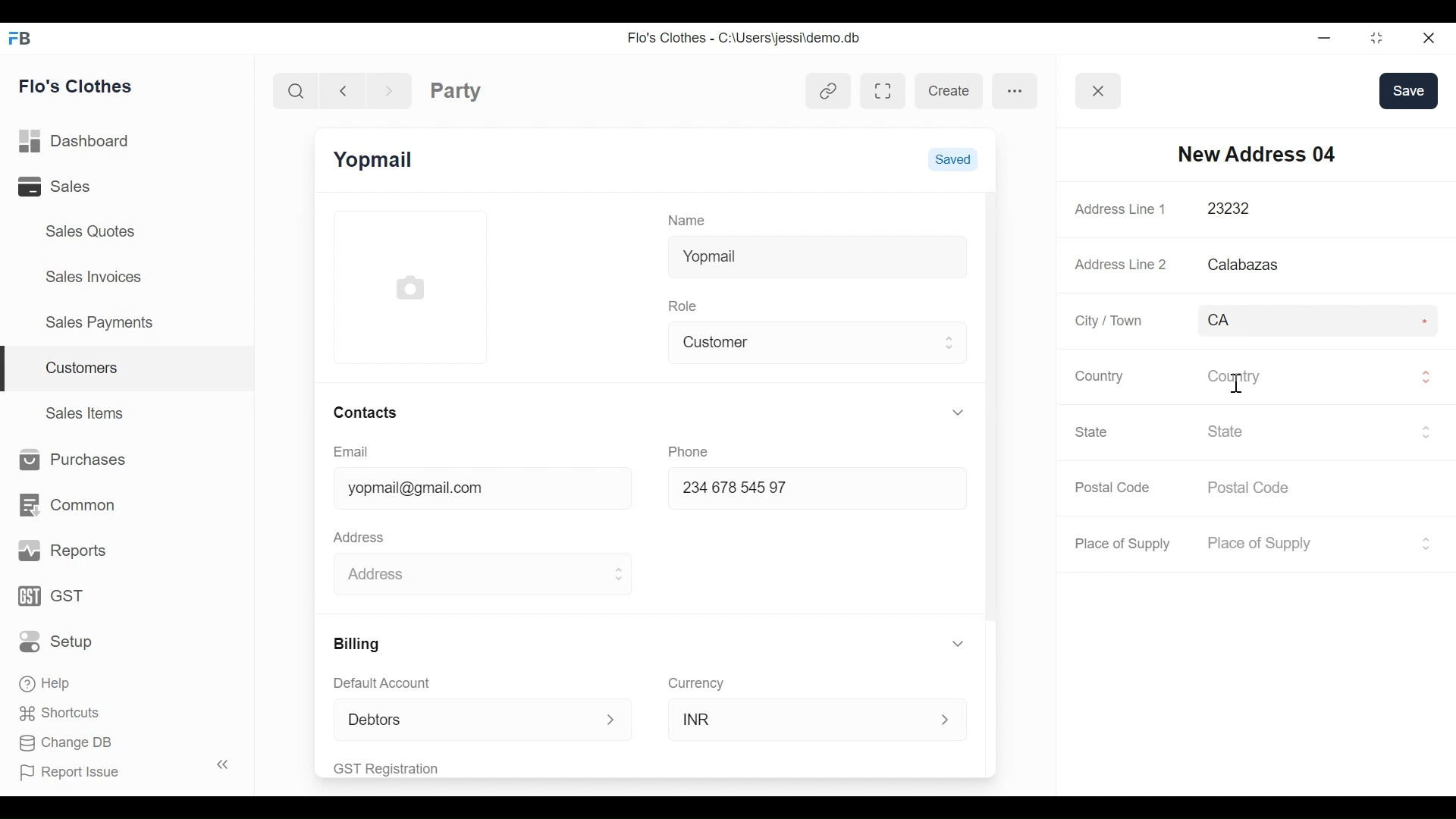 The image size is (1456, 819). I want to click on View linked entries, so click(828, 93).